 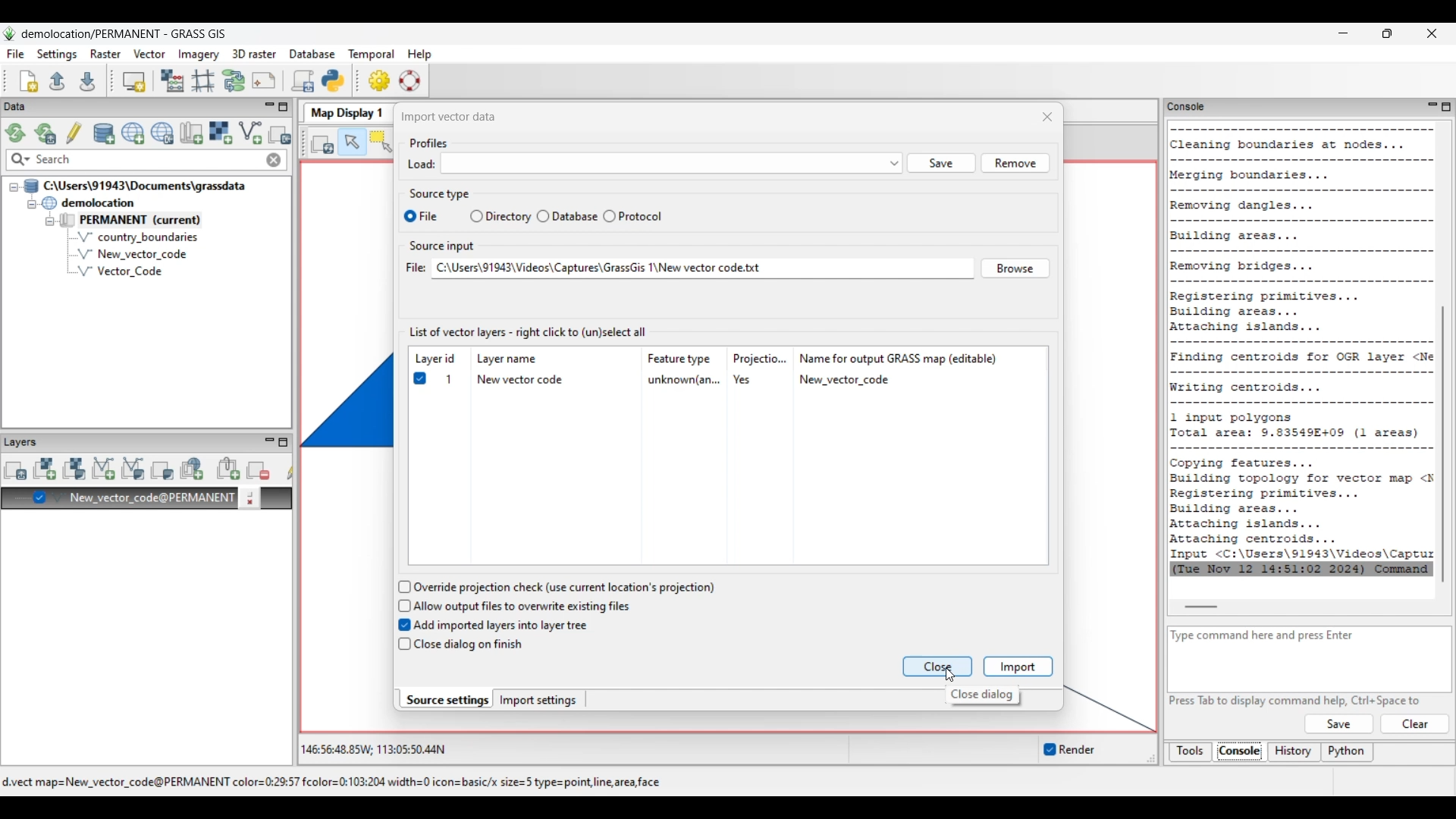 I want to click on | Import vector data, so click(x=453, y=115).